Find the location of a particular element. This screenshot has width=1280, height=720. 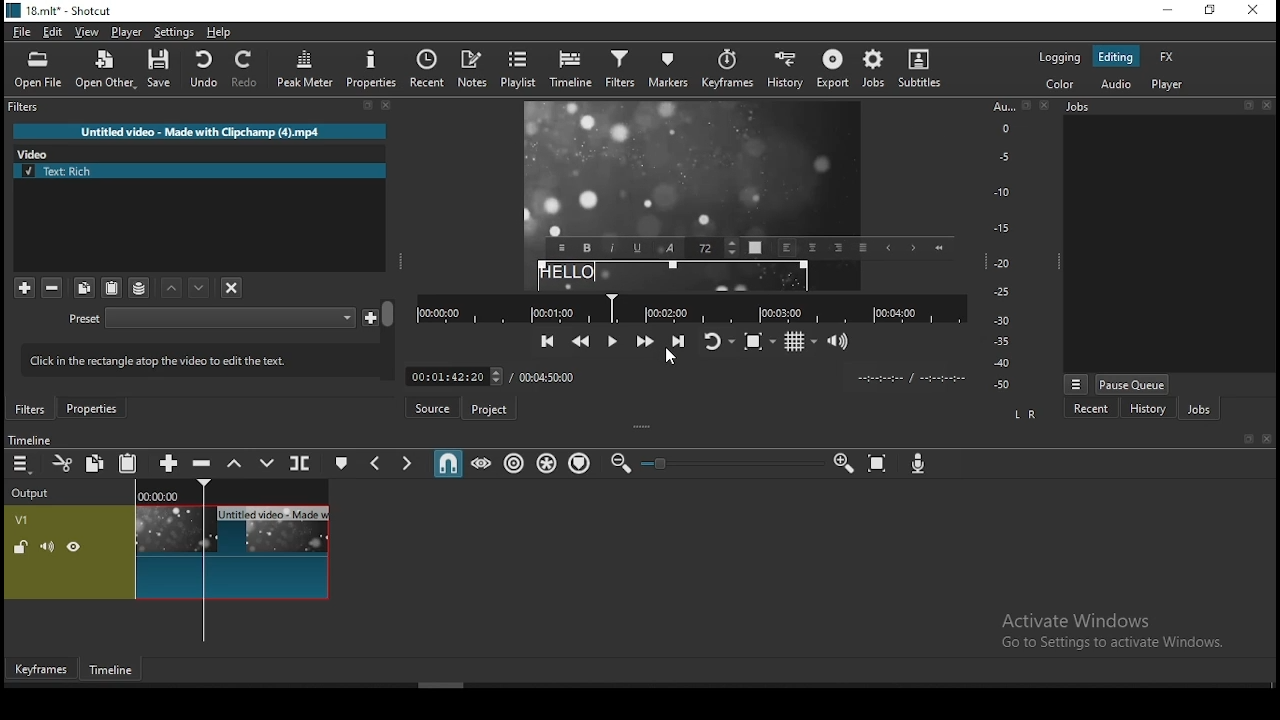

play/pause is located at coordinates (614, 342).